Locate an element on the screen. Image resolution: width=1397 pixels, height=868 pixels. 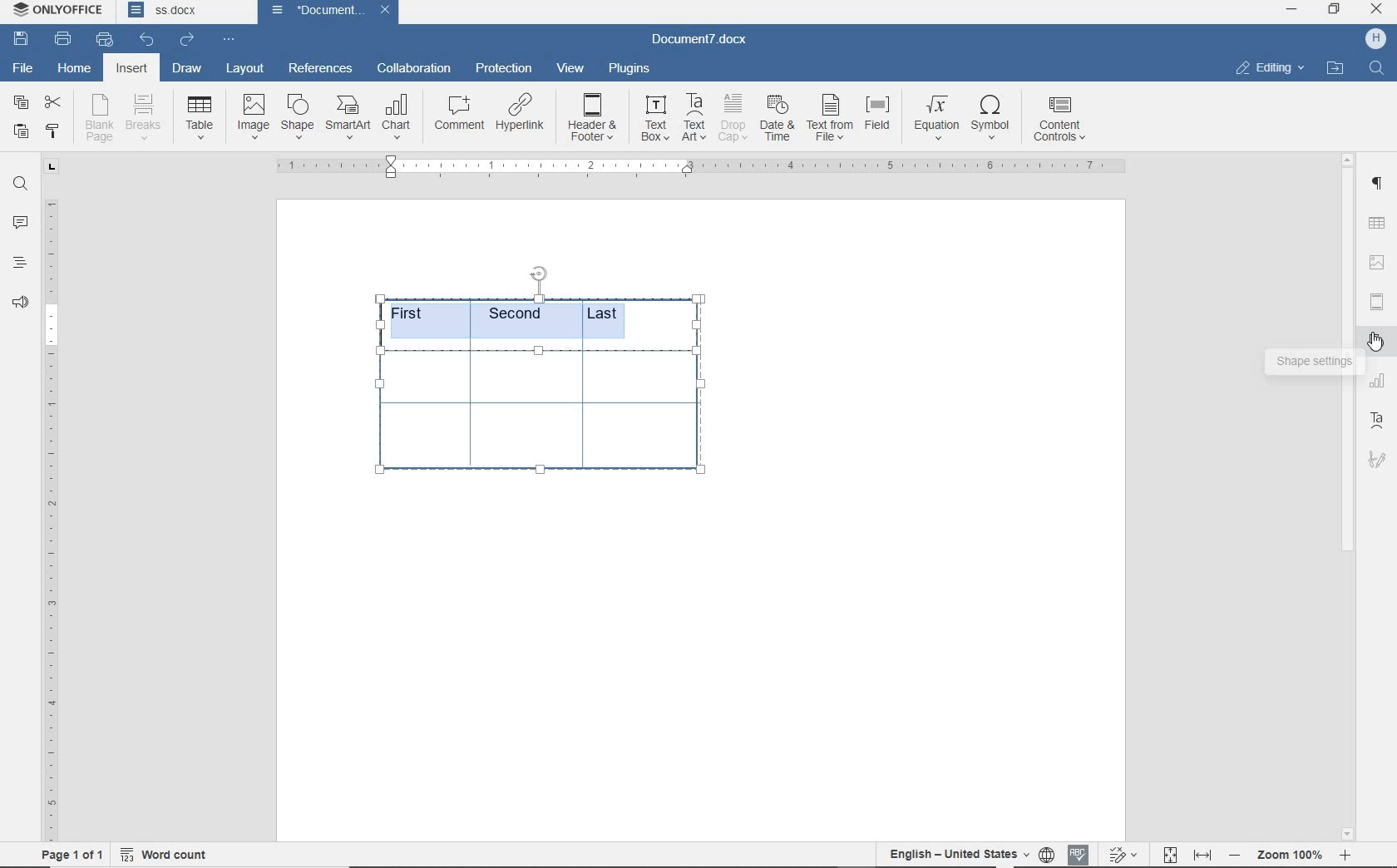
TABLE is located at coordinates (1376, 223).